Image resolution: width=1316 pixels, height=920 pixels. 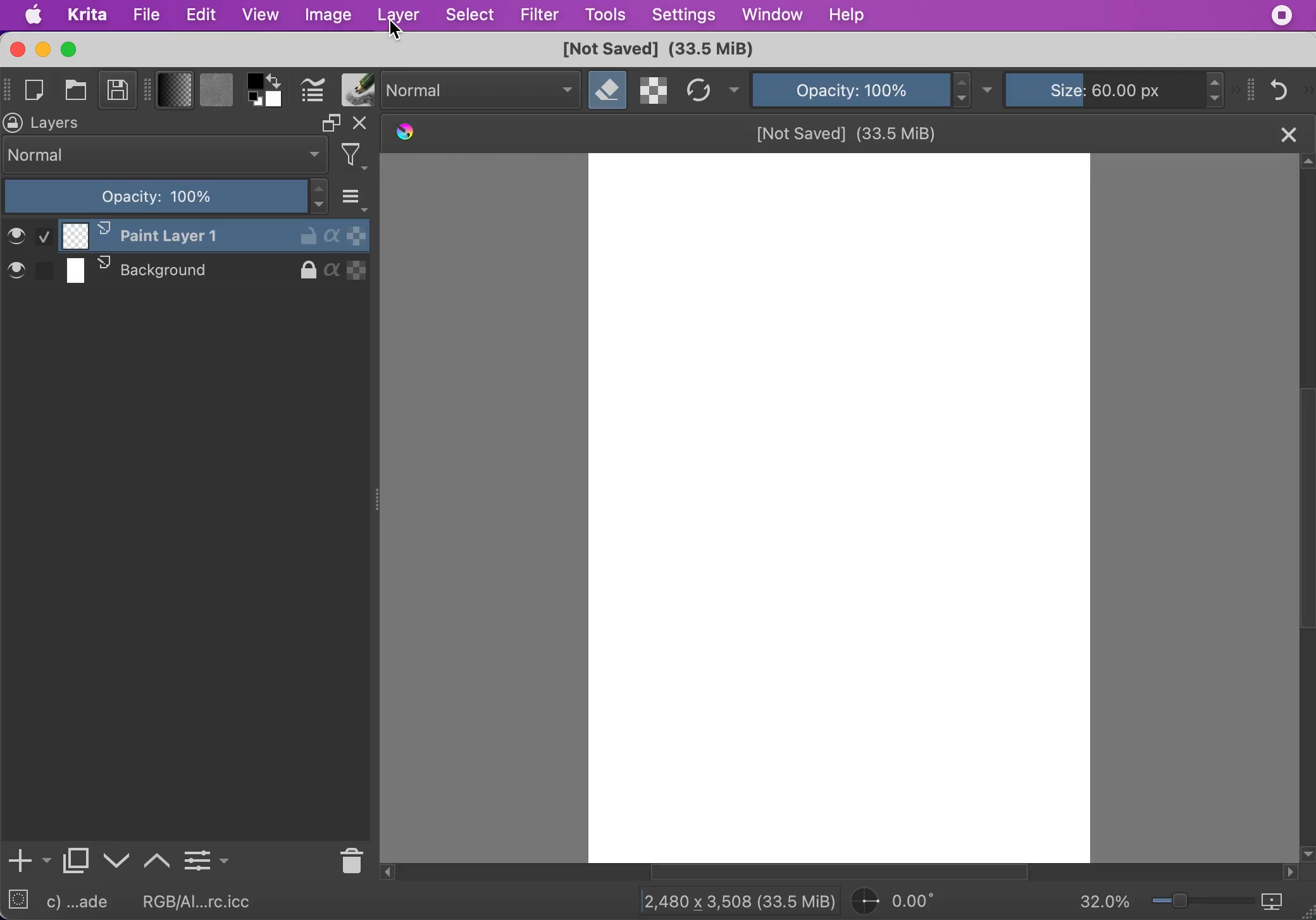 I want to click on close, so click(x=16, y=49).